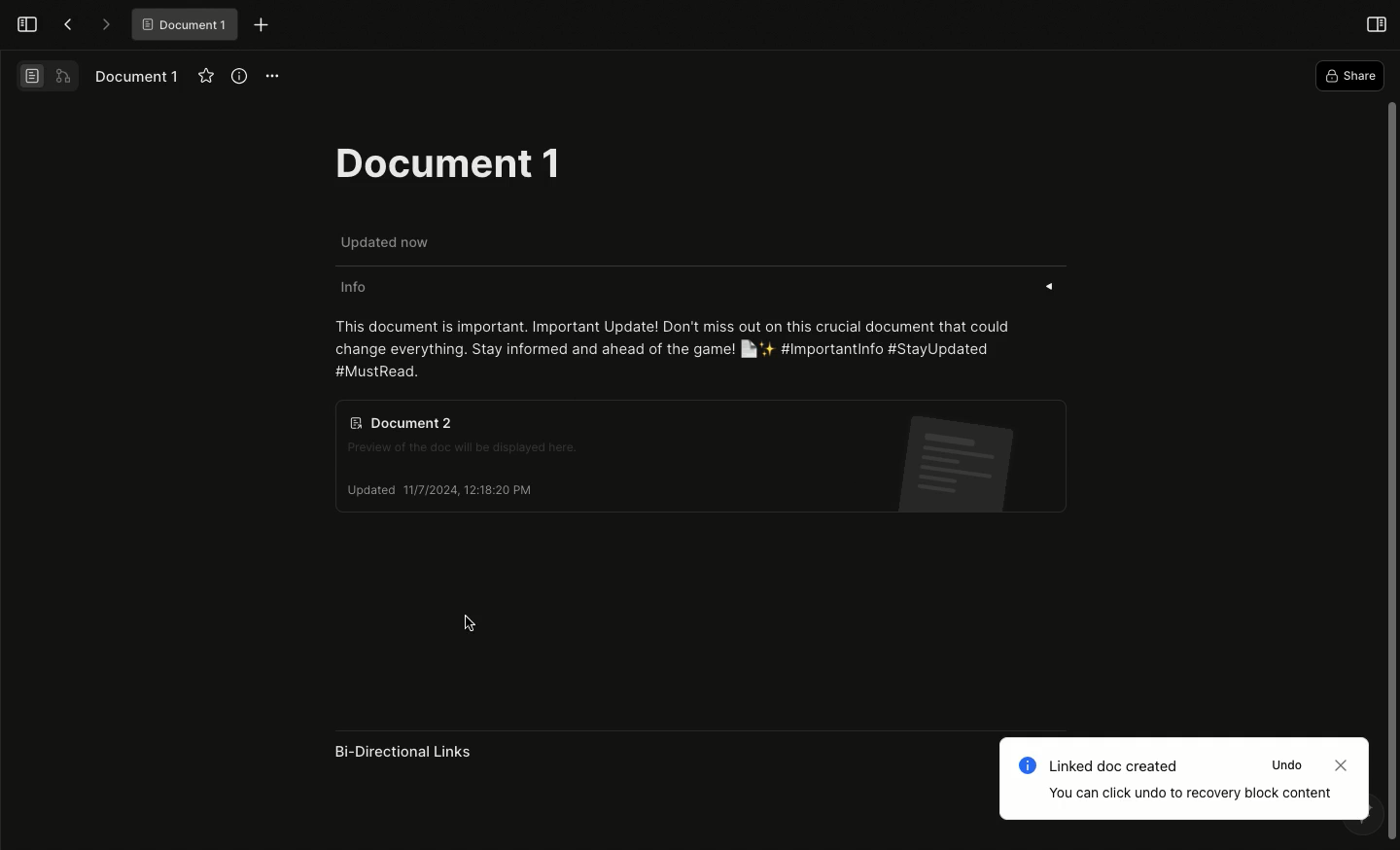  What do you see at coordinates (62, 23) in the screenshot?
I see `Back` at bounding box center [62, 23].